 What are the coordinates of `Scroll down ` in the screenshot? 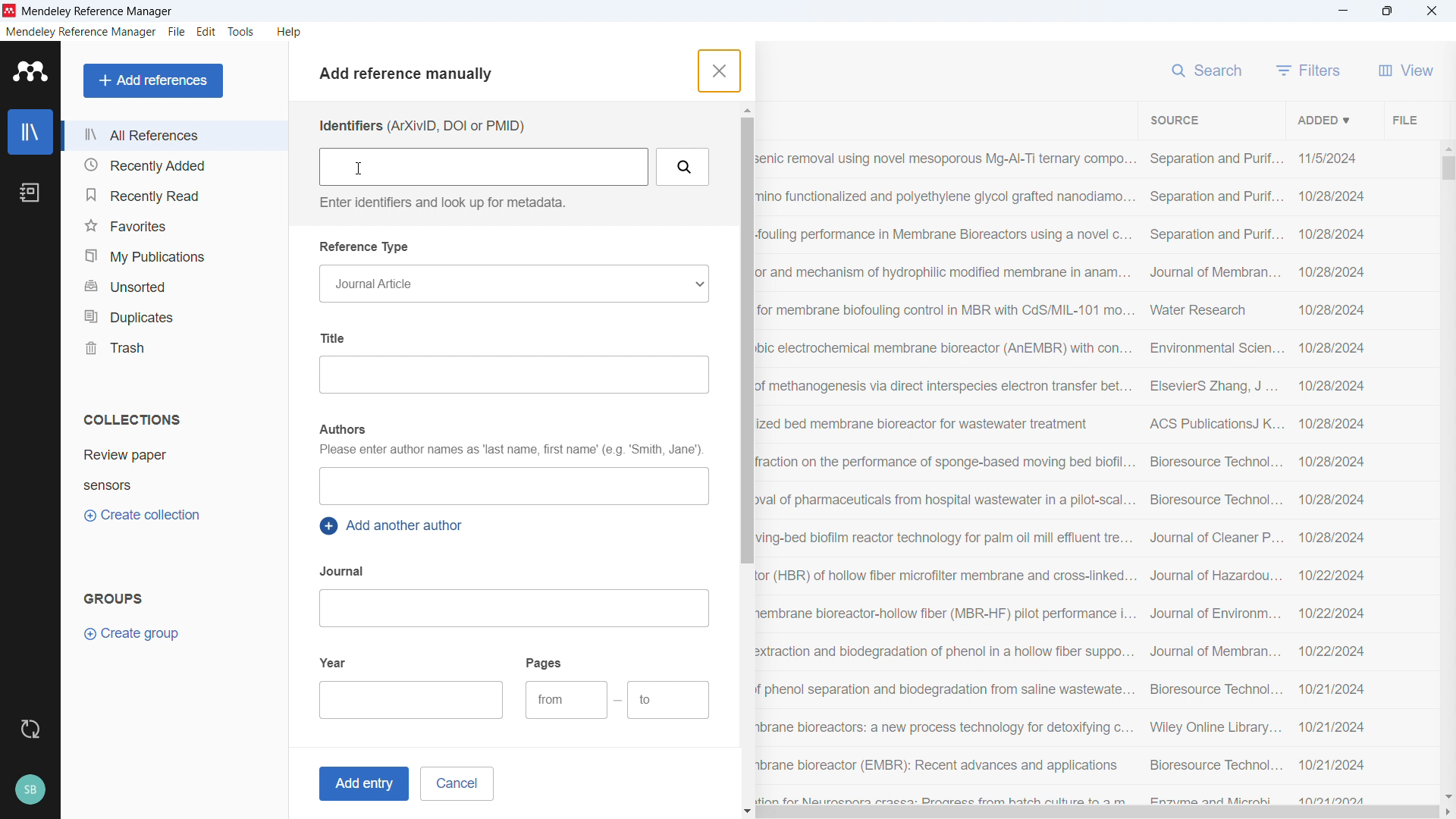 It's located at (1447, 796).